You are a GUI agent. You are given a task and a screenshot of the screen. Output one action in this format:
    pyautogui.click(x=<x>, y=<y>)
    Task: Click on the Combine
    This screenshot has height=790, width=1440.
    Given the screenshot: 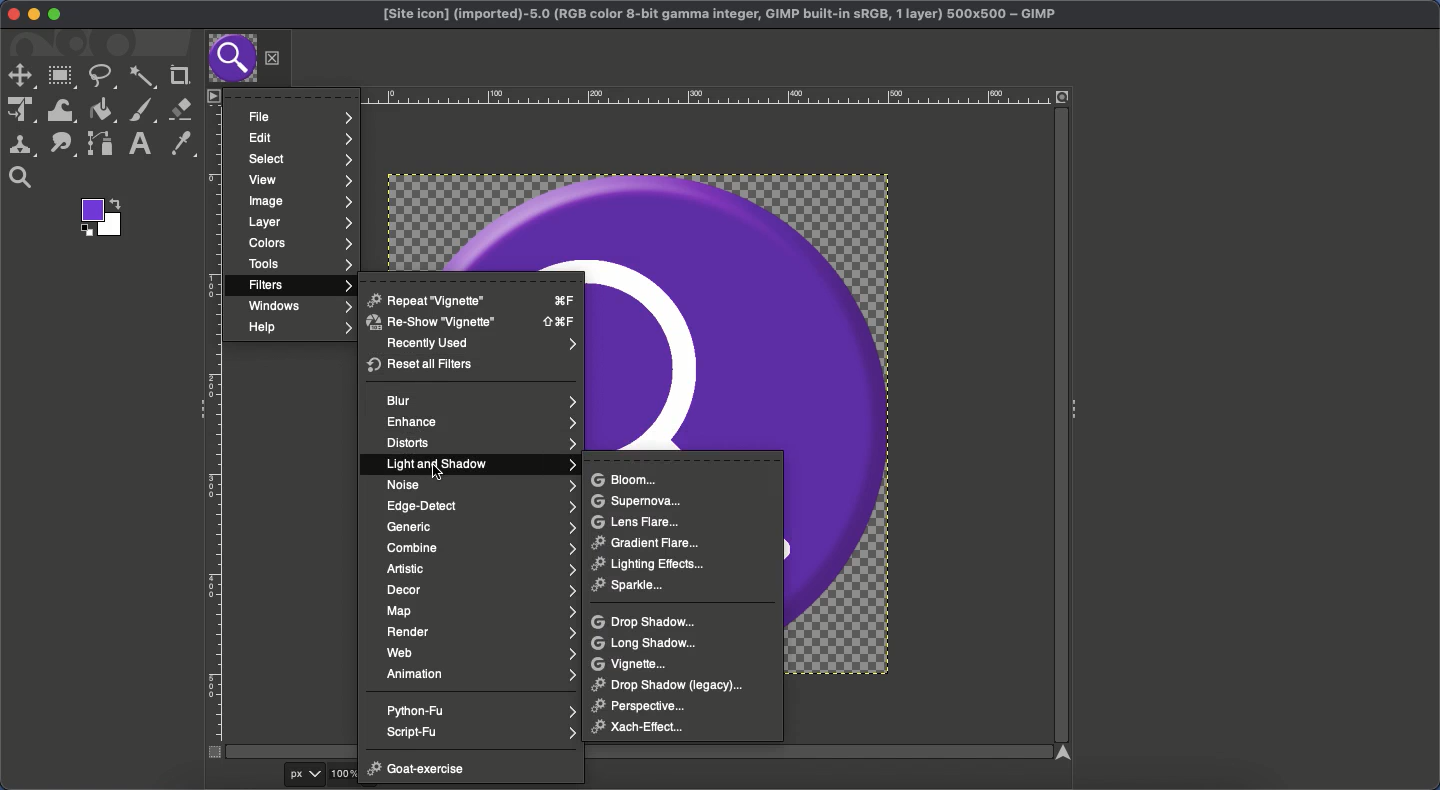 What is the action you would take?
    pyautogui.click(x=481, y=548)
    